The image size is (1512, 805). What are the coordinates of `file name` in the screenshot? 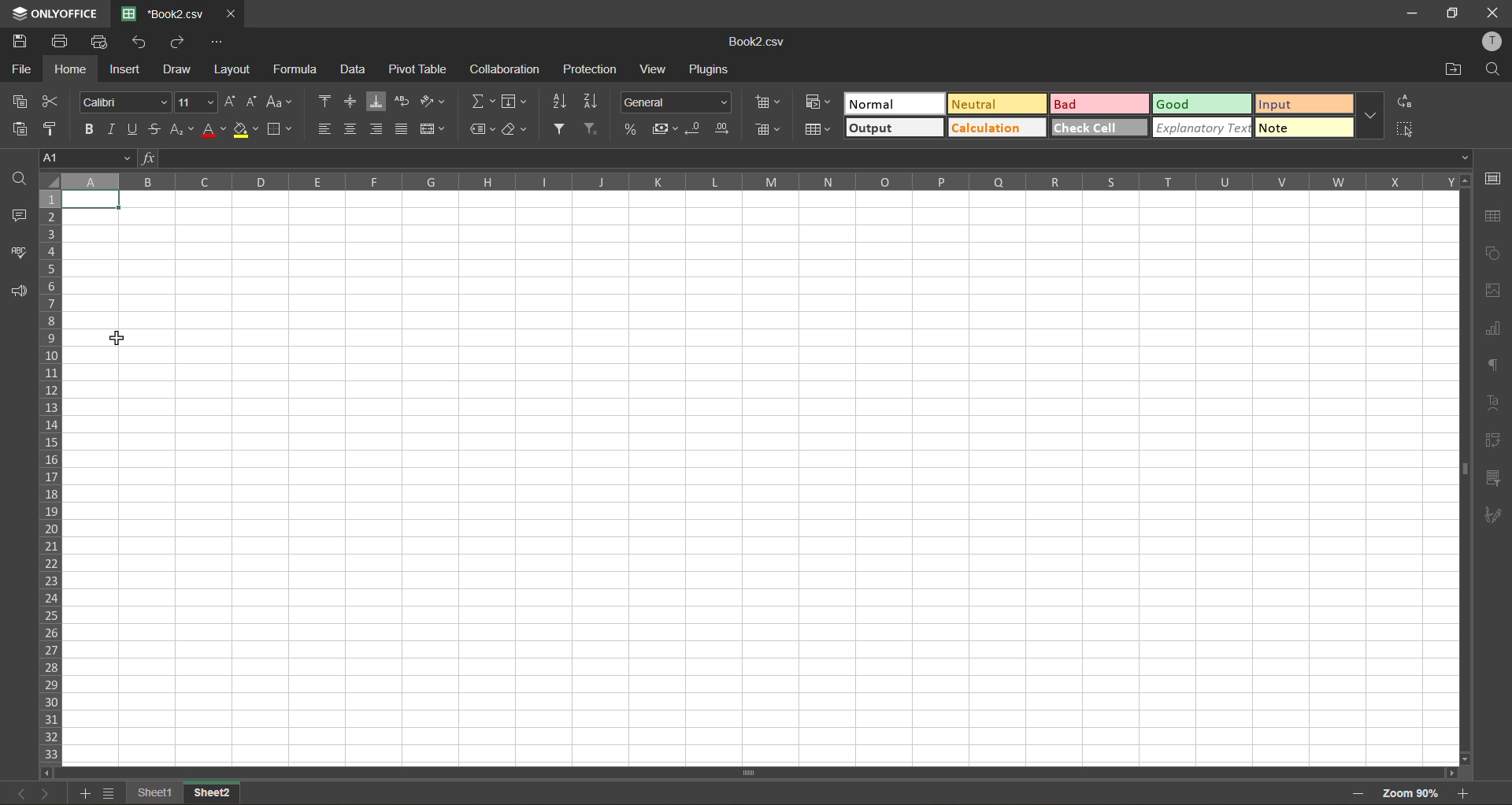 It's located at (761, 43).